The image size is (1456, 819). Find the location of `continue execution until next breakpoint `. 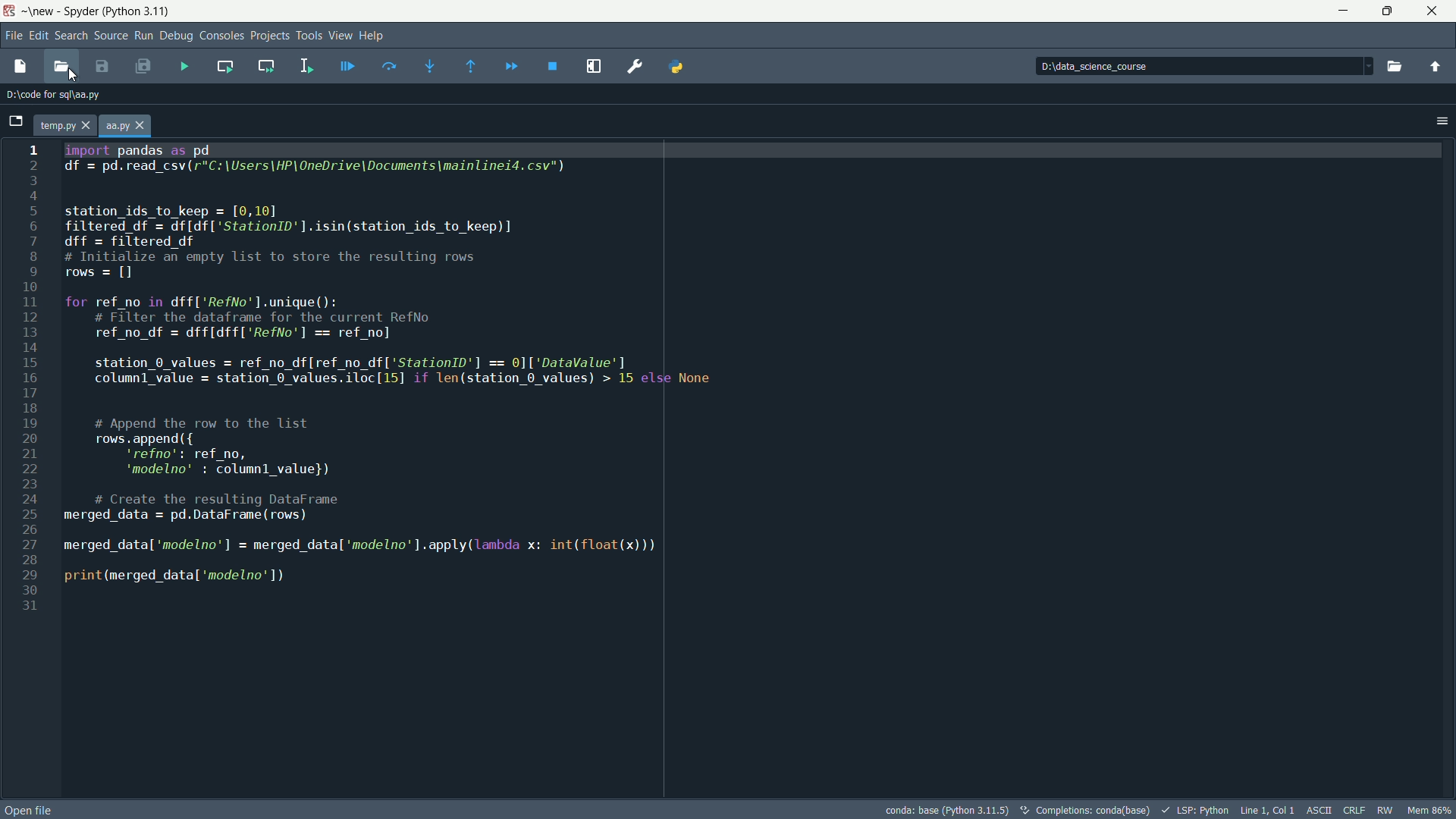

continue execution until next breakpoint  is located at coordinates (510, 65).